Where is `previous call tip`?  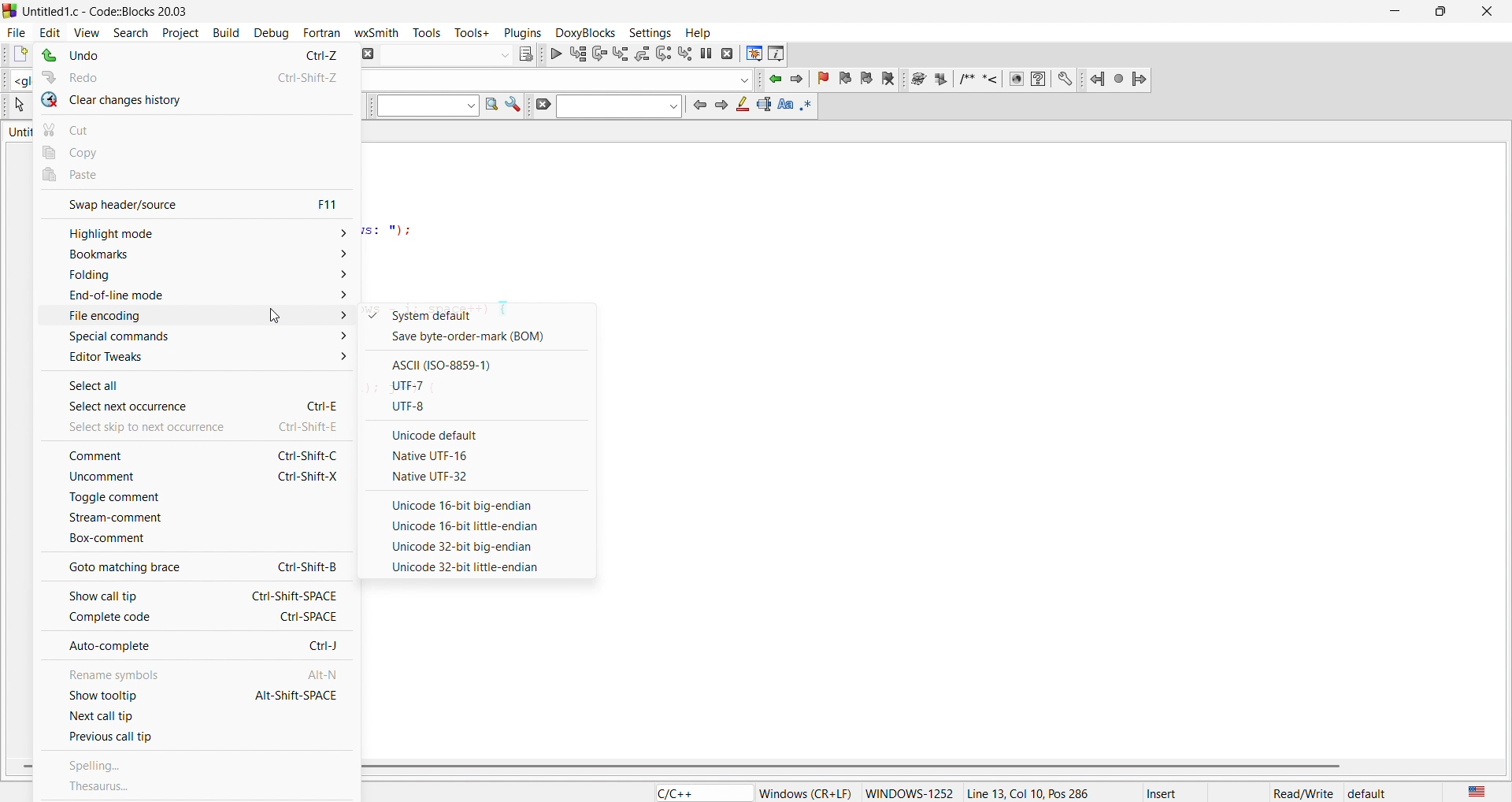
previous call tip is located at coordinates (197, 740).